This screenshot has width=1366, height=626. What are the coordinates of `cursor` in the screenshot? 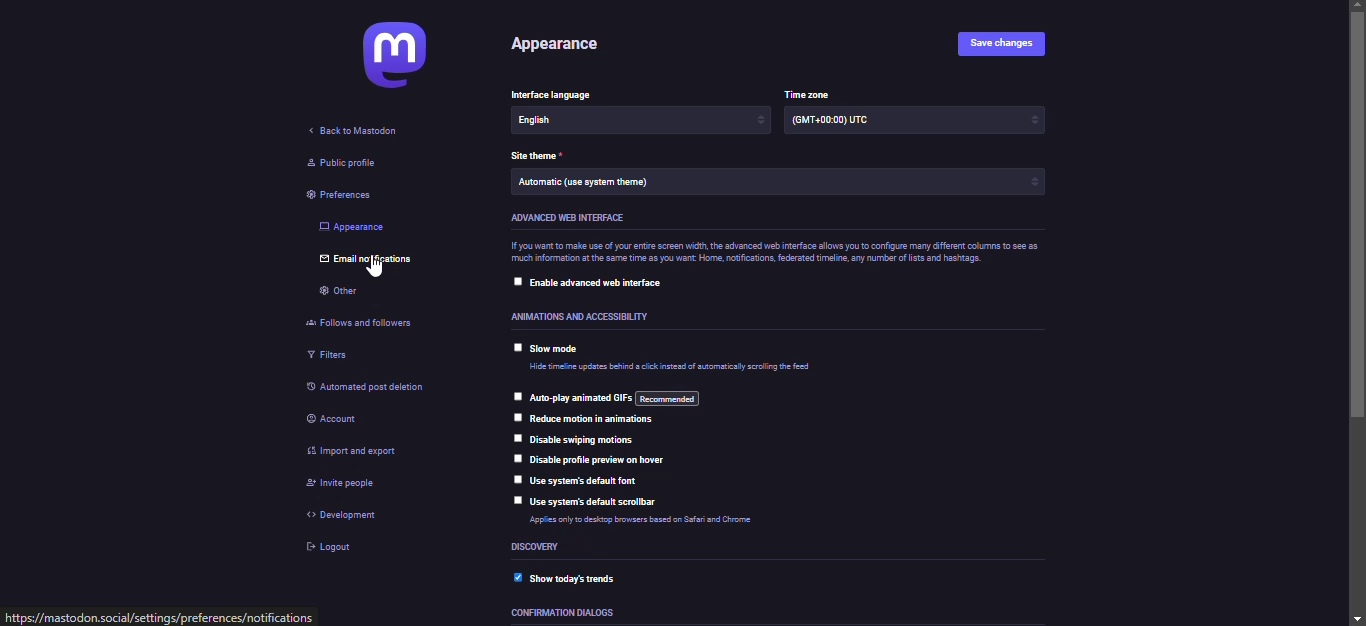 It's located at (376, 269).